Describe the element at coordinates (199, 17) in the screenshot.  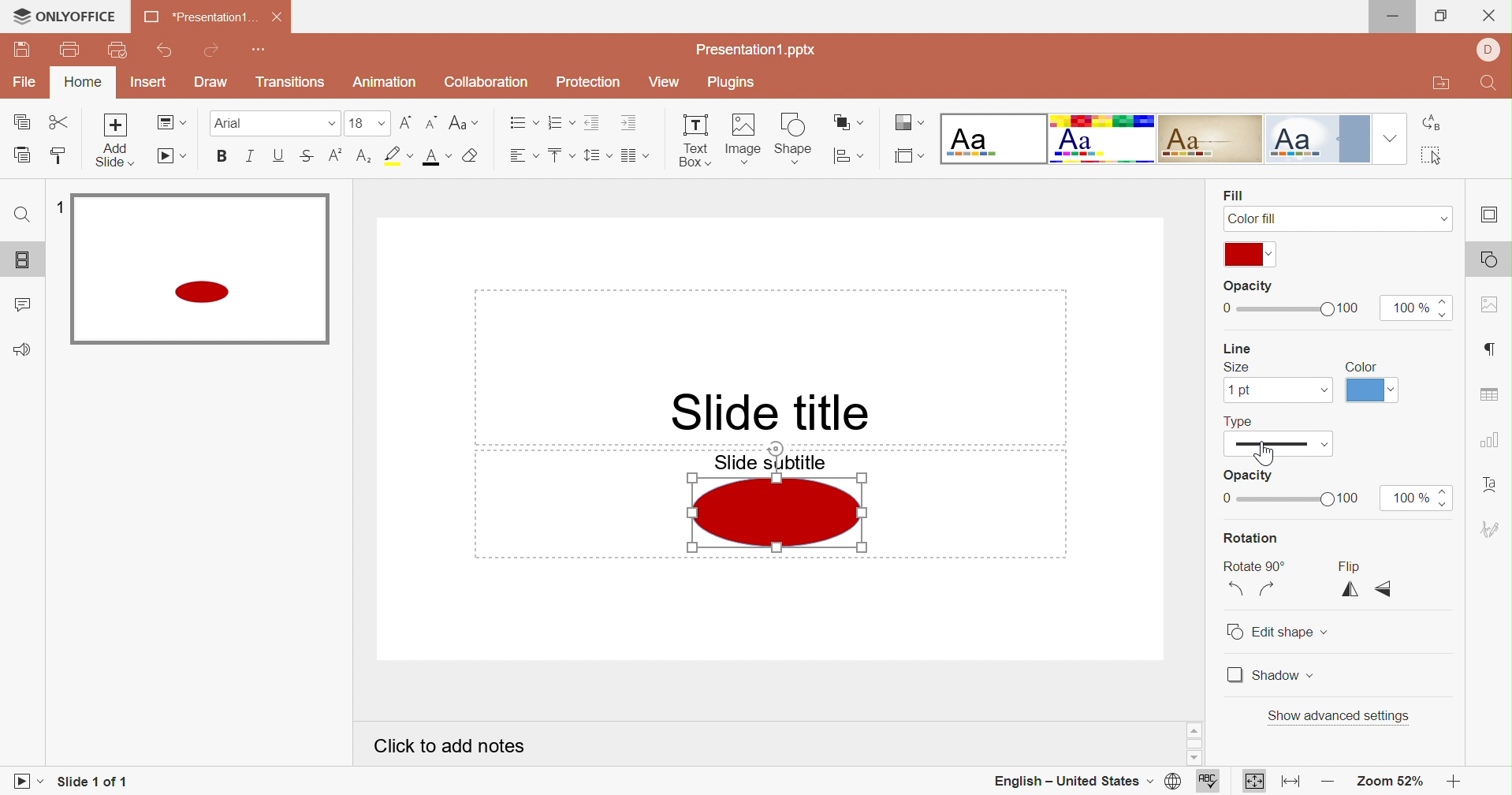
I see `*Presentation1 ...` at that location.